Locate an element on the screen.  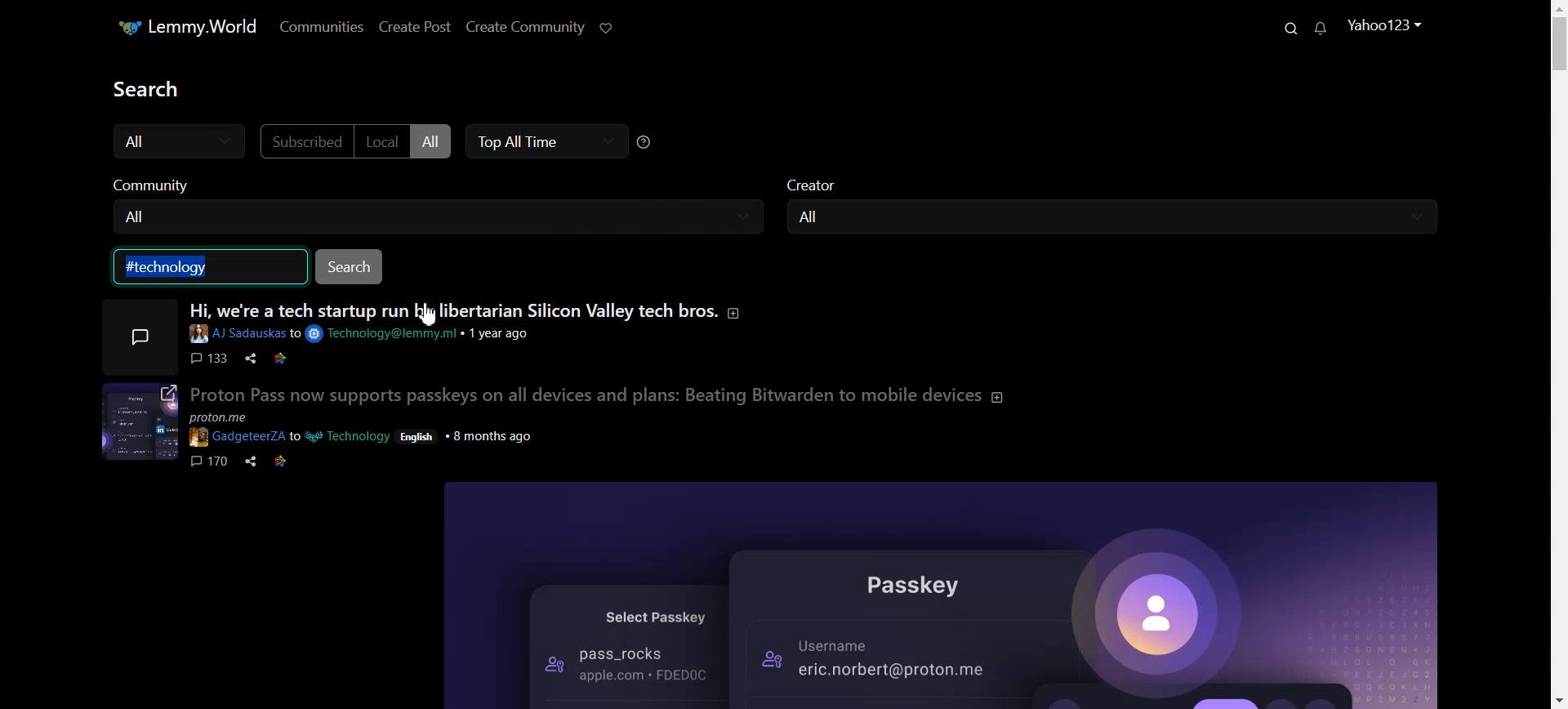
Create Community is located at coordinates (530, 26).